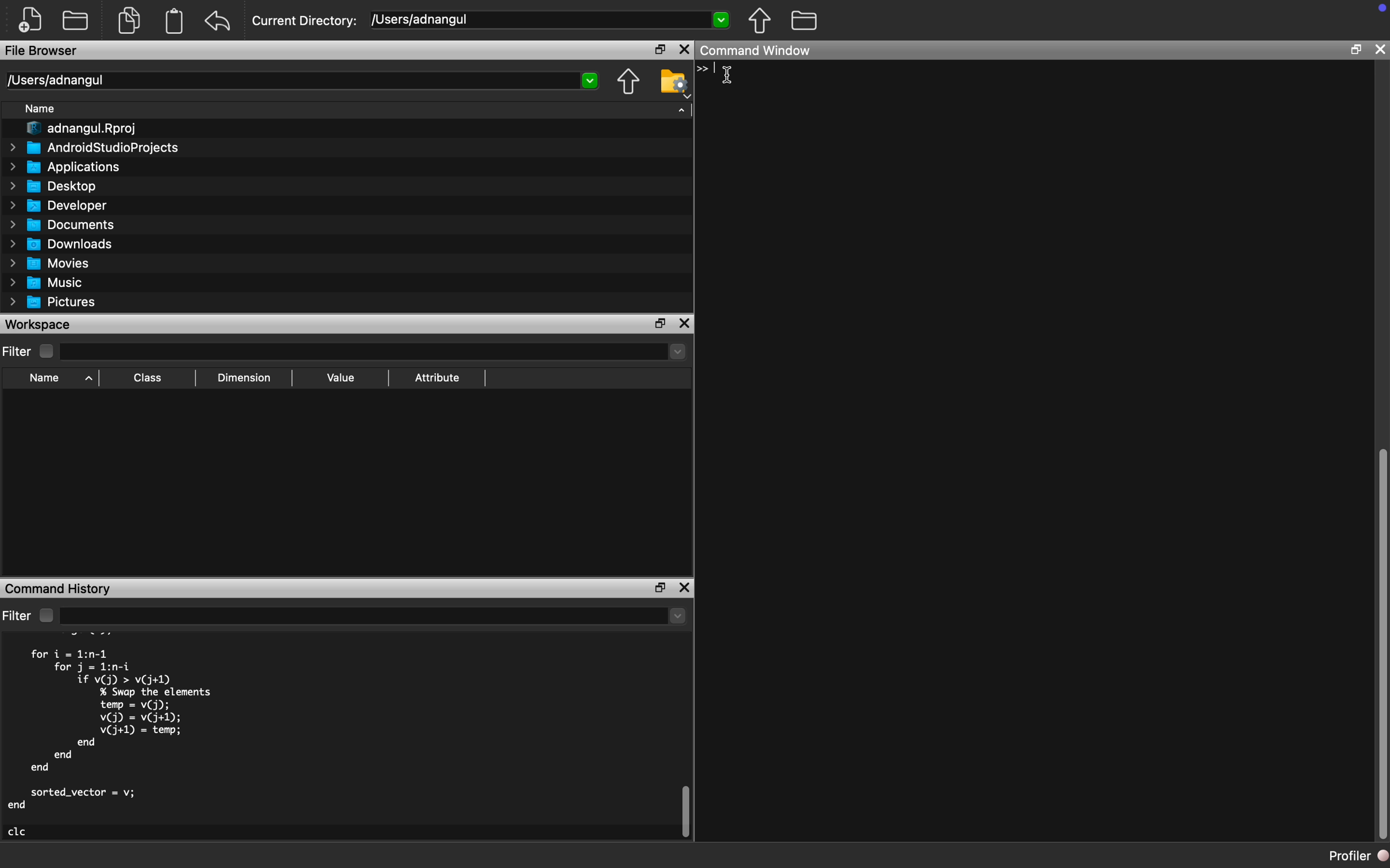 This screenshot has width=1390, height=868. I want to click on Developer, so click(59, 206).